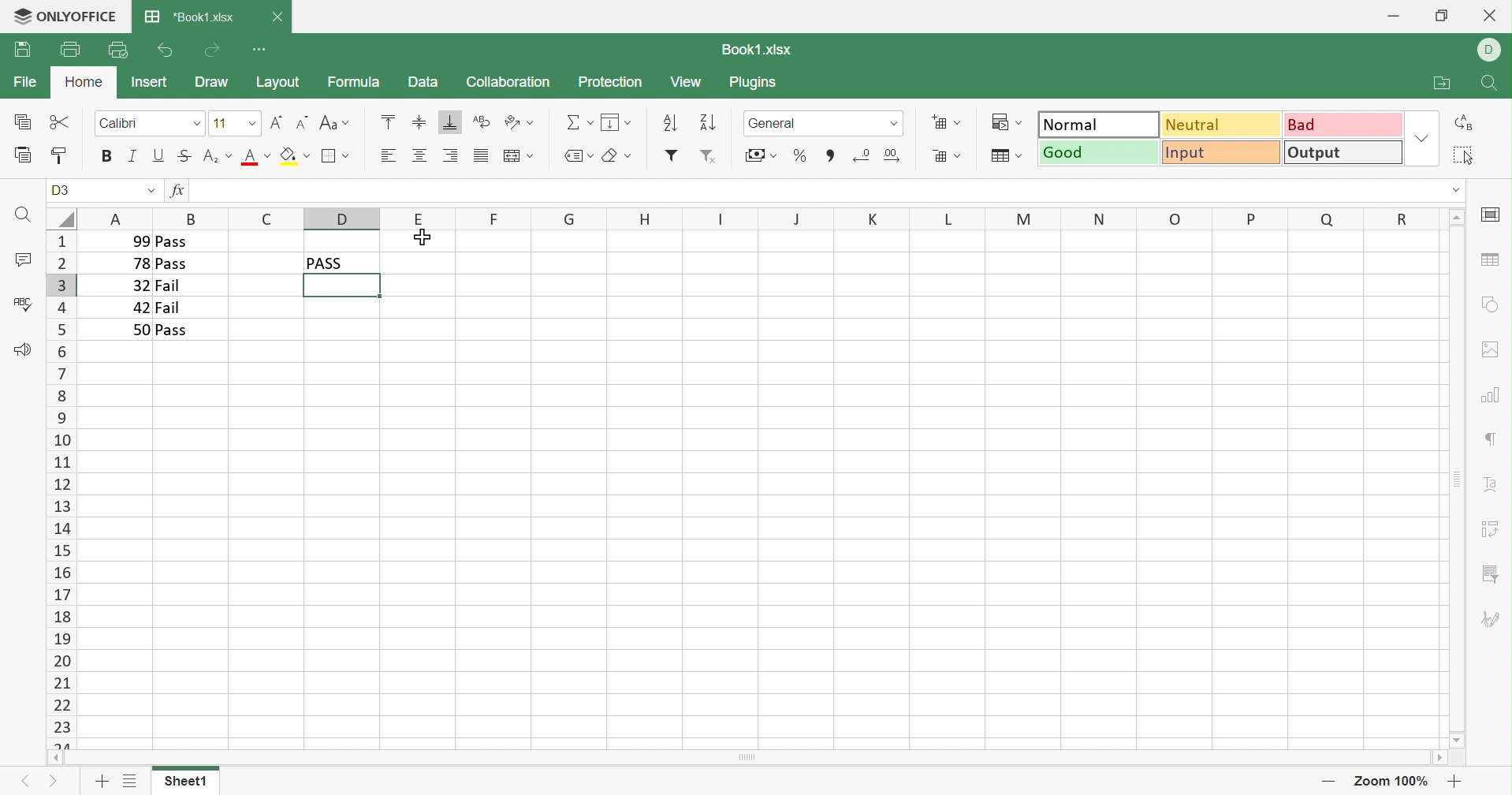 The height and width of the screenshot is (795, 1512). Describe the element at coordinates (184, 155) in the screenshot. I see `Strikethrough` at that location.